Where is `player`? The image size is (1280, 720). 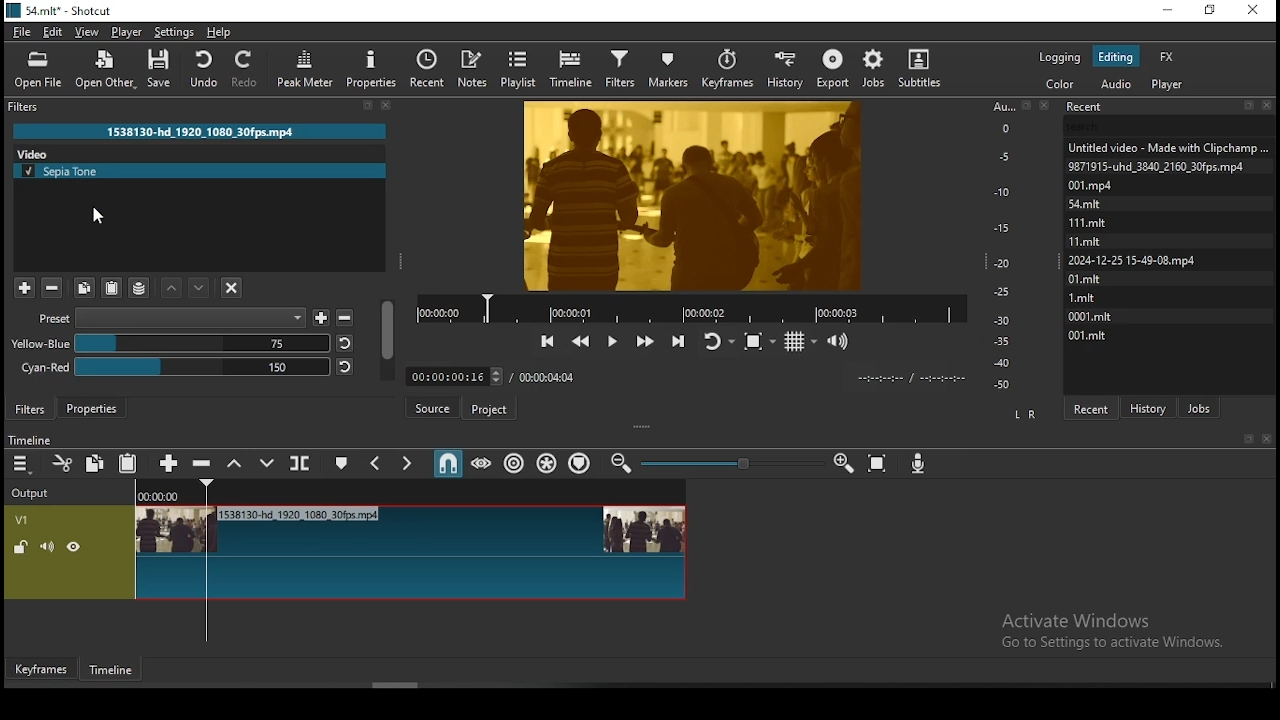
player is located at coordinates (1167, 85).